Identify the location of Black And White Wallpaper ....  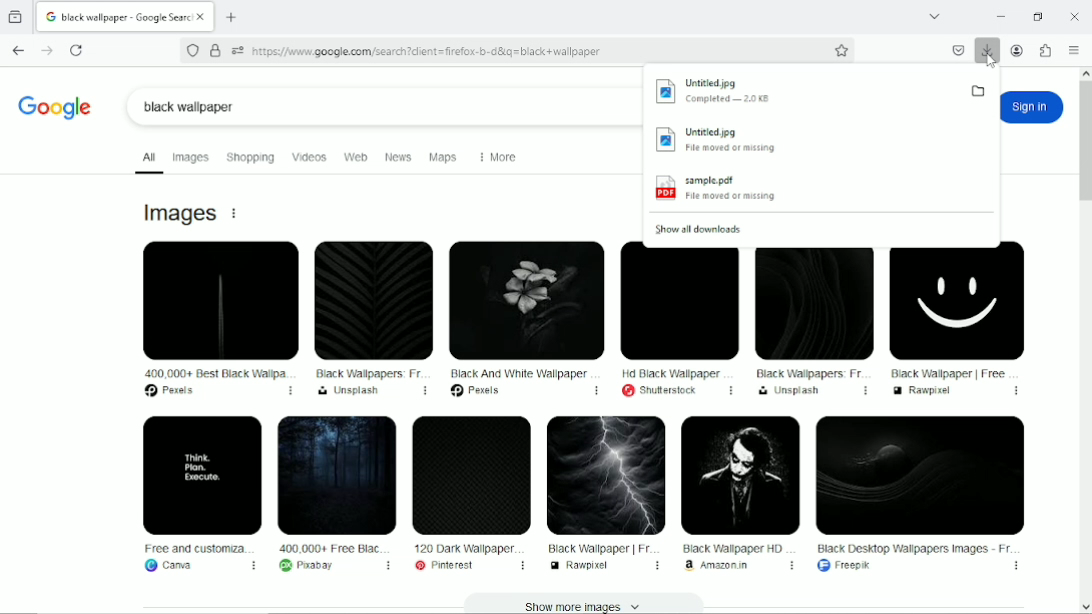
(523, 319).